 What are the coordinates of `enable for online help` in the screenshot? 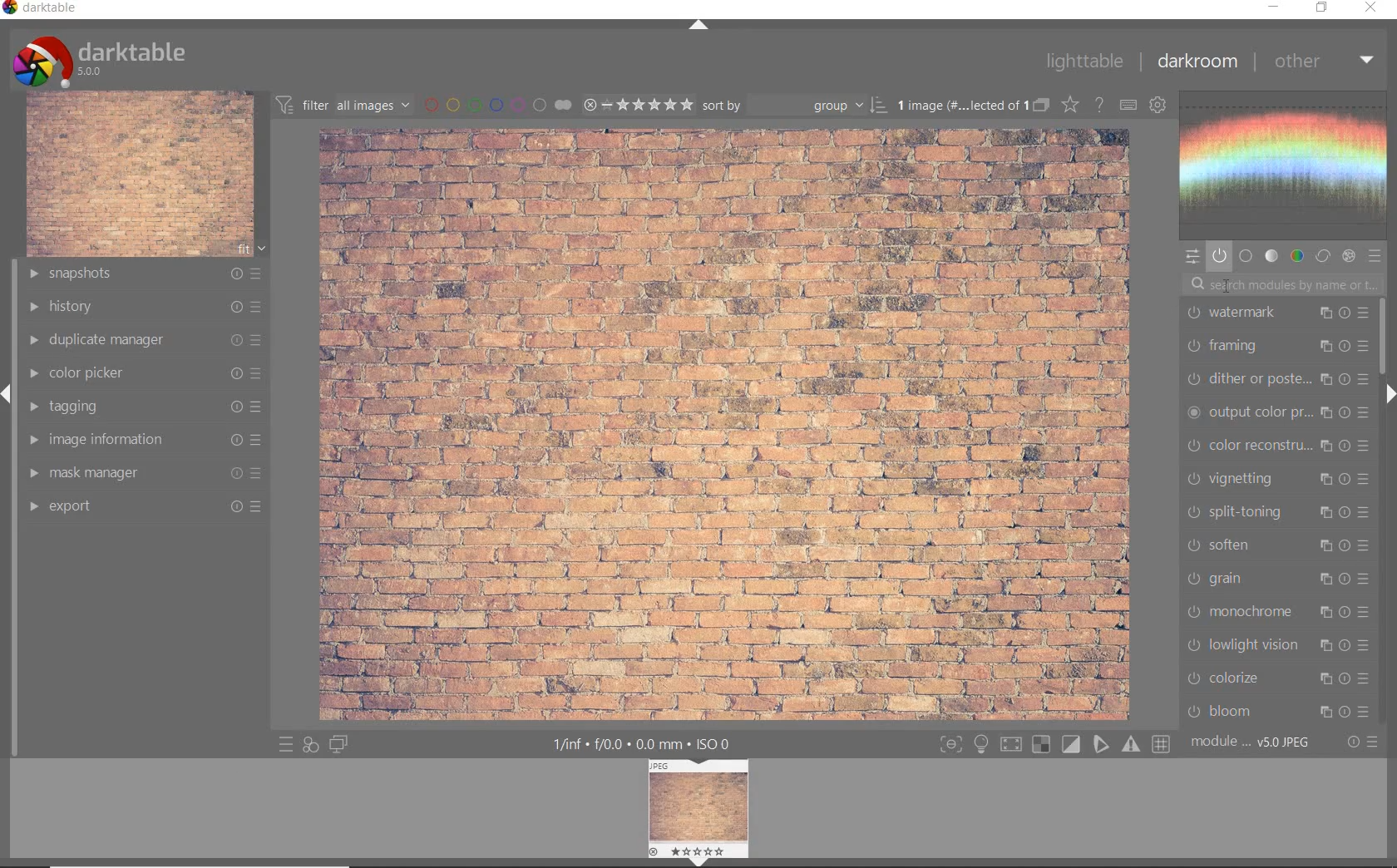 It's located at (1098, 106).